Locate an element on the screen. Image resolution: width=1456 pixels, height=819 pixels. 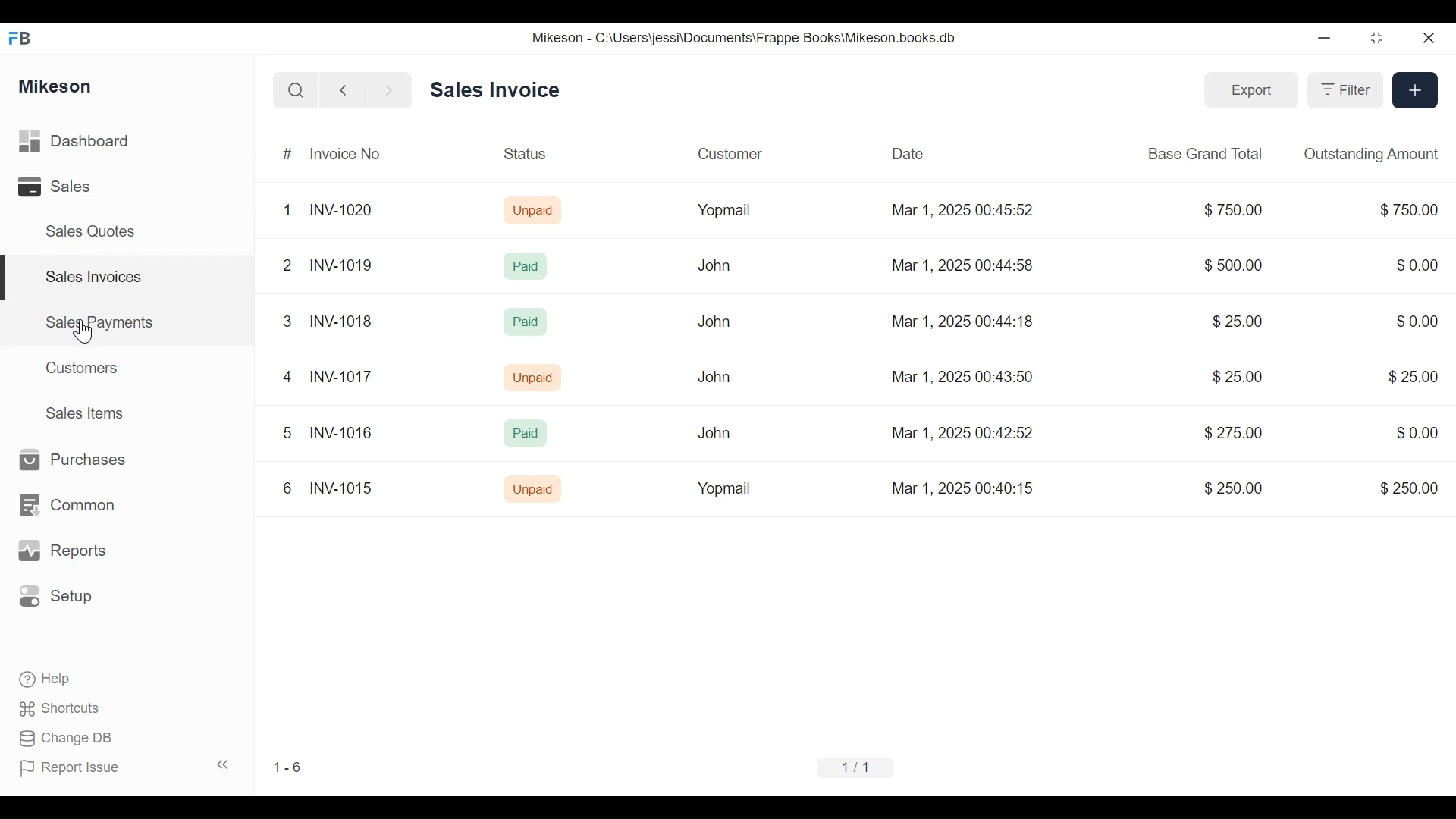
Maximize is located at coordinates (1374, 40).